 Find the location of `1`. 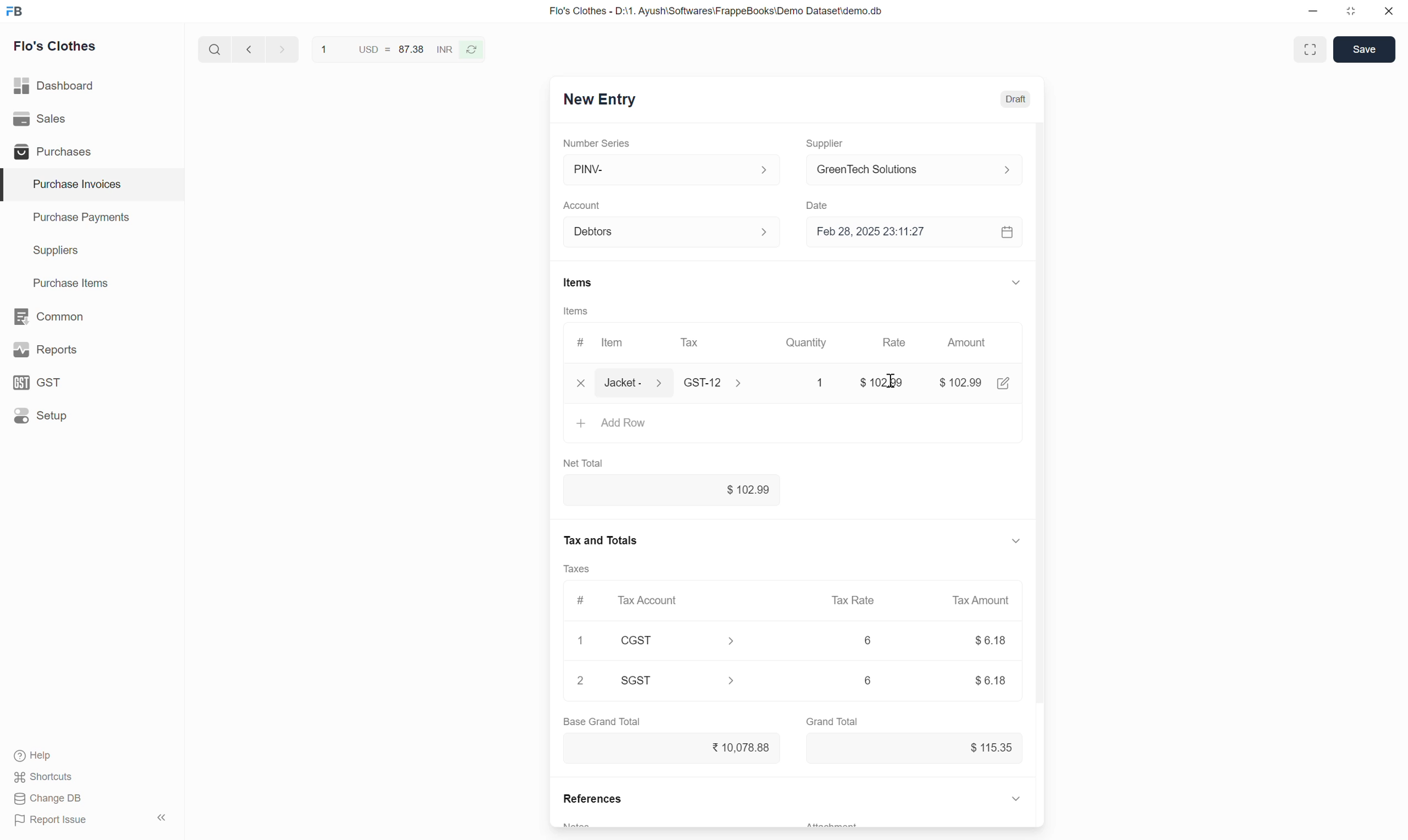

1 is located at coordinates (580, 640).